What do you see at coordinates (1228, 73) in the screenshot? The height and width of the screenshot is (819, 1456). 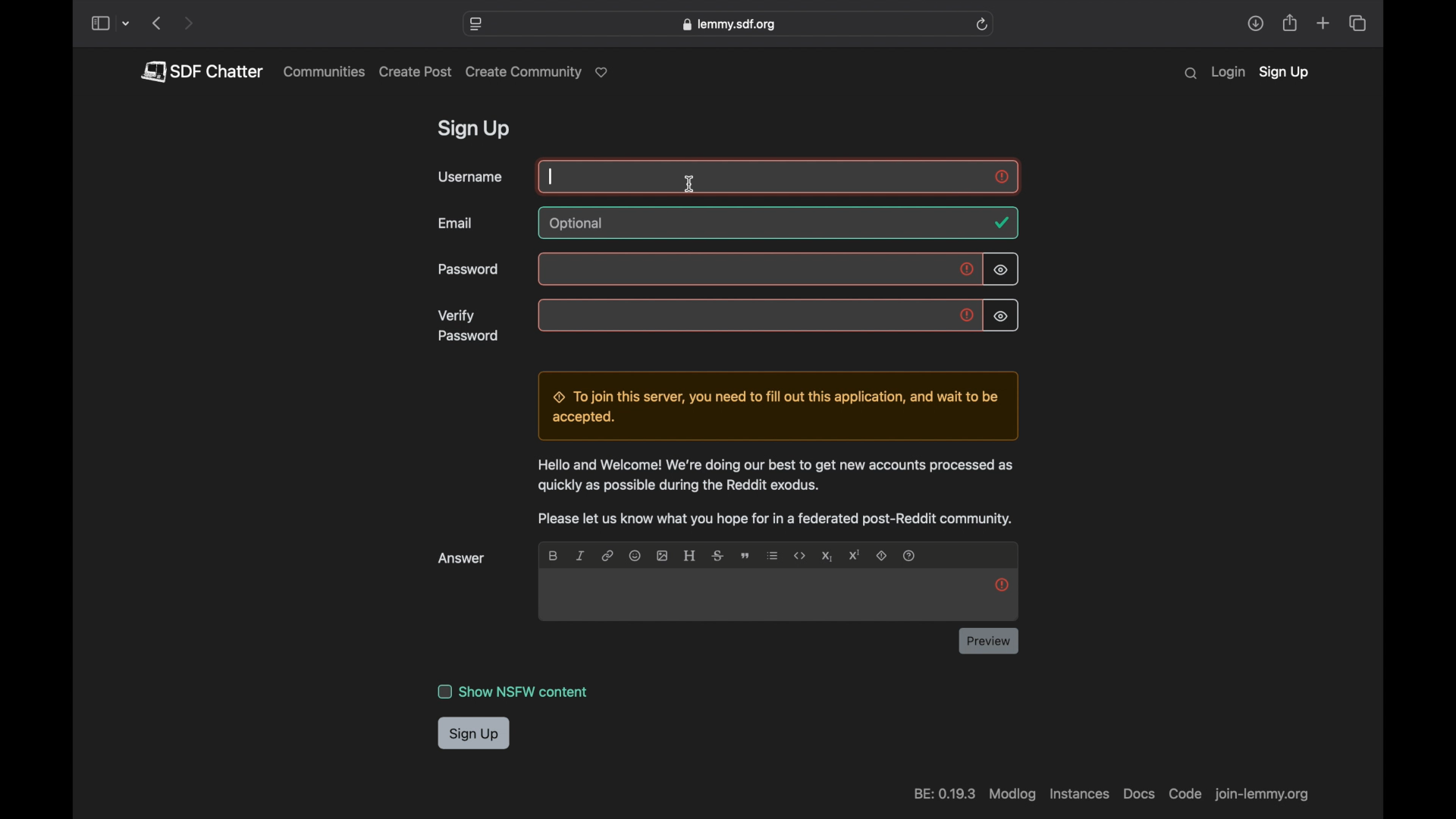 I see `login` at bounding box center [1228, 73].